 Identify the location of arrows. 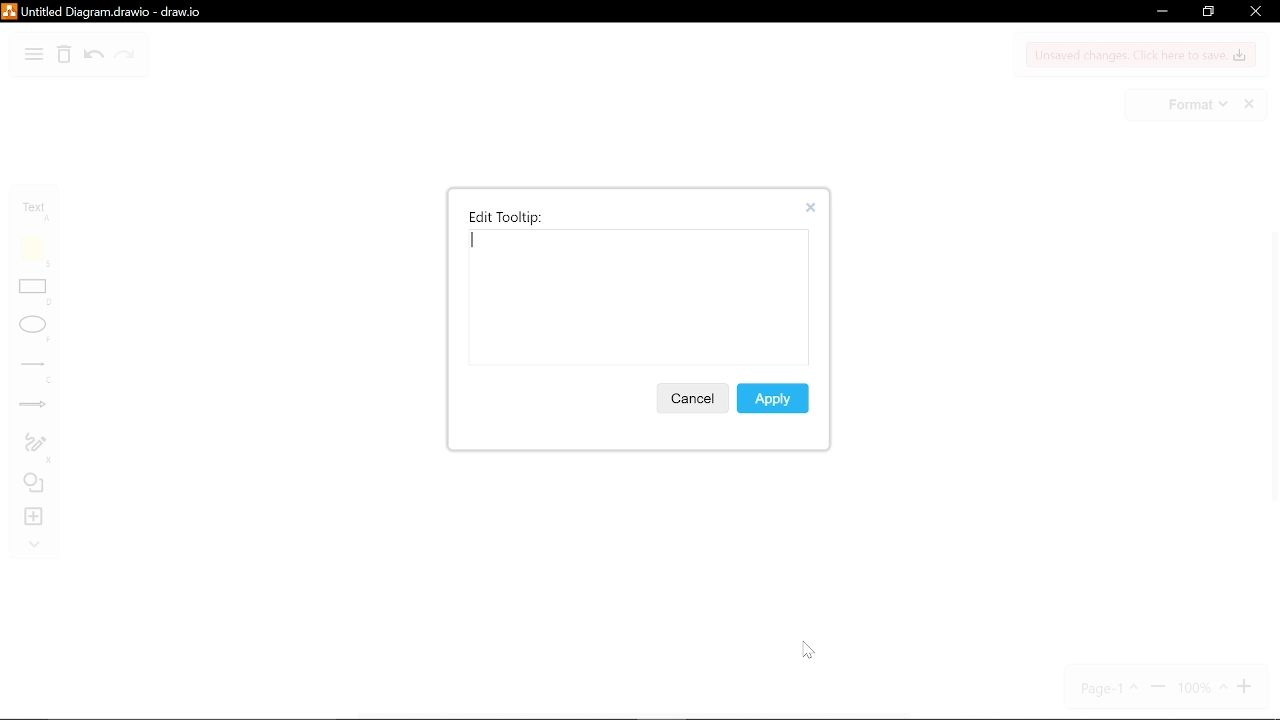
(34, 407).